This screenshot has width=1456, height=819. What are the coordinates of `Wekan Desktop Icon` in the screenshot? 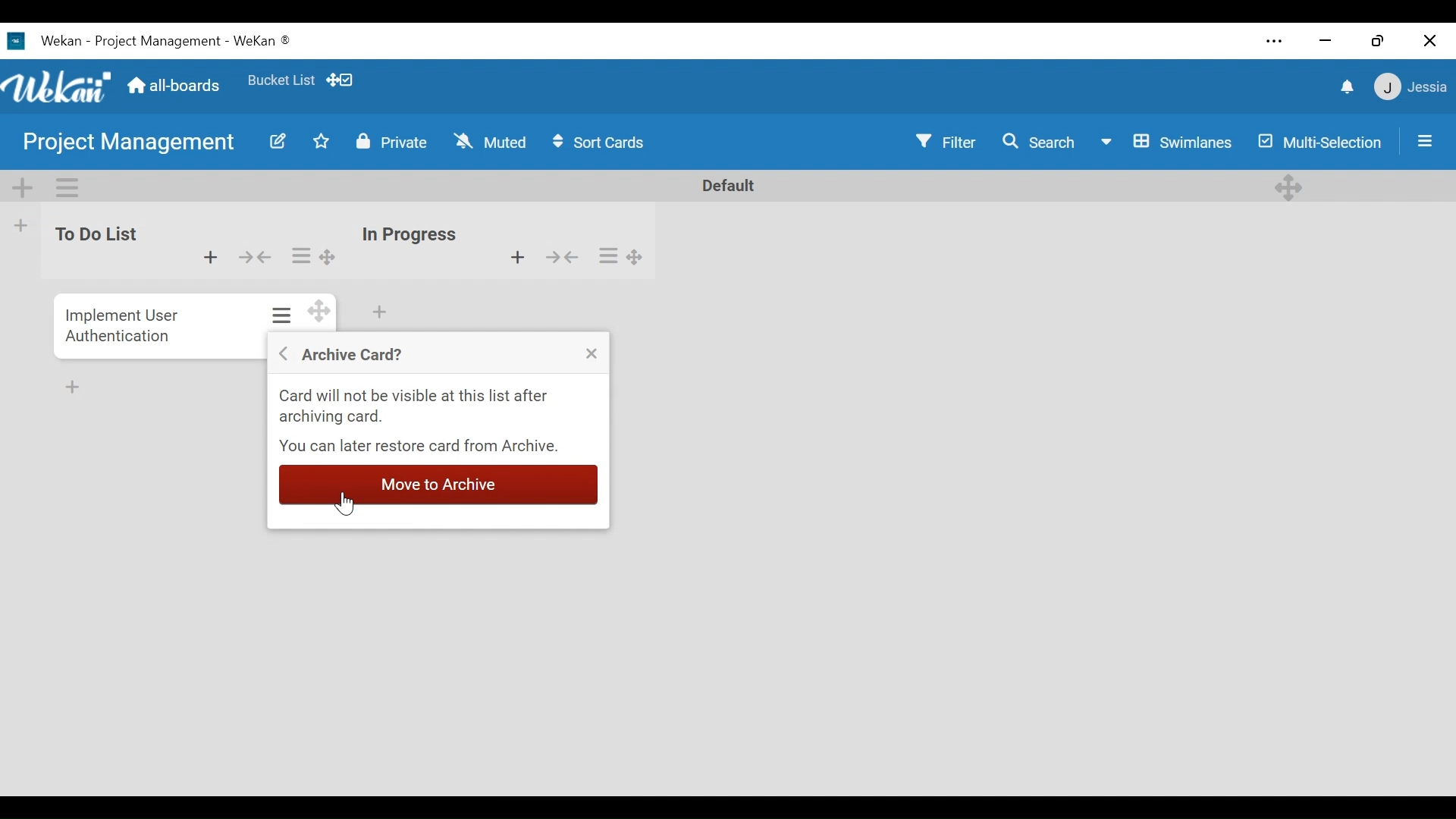 It's located at (149, 42).